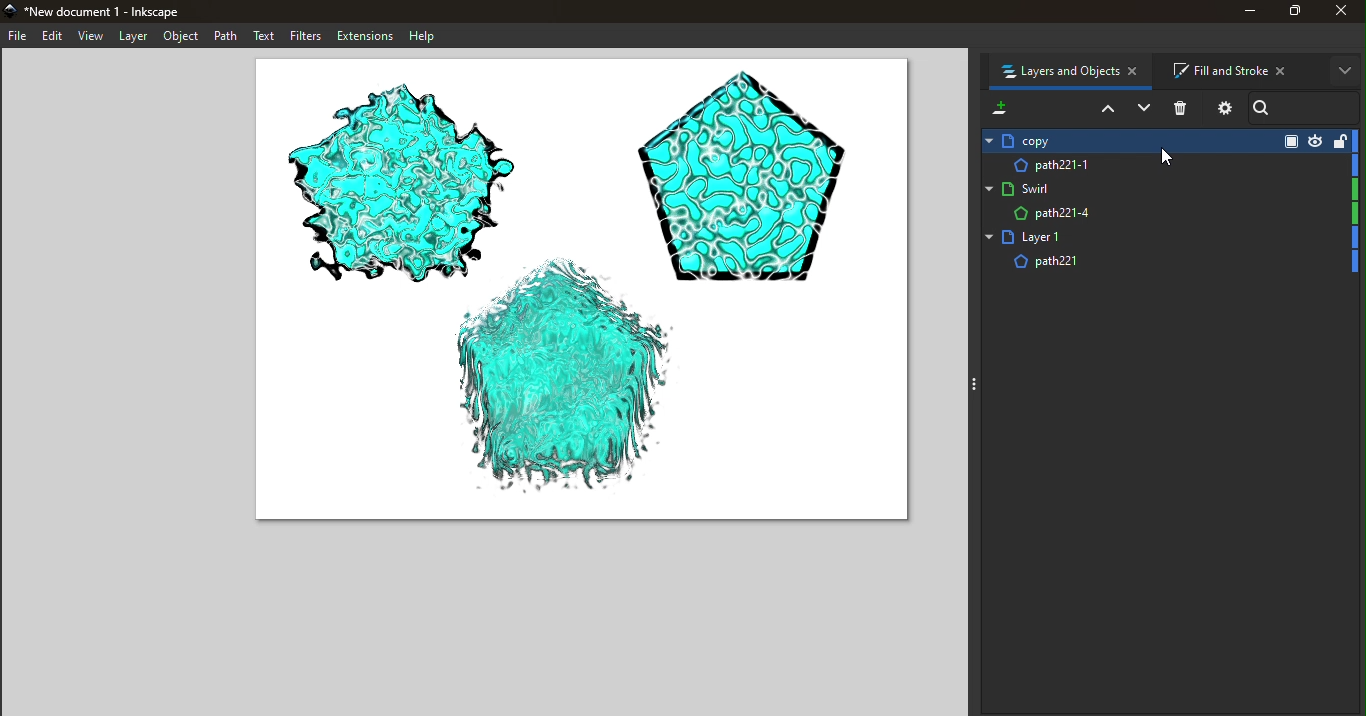 Image resolution: width=1366 pixels, height=716 pixels. I want to click on Maximize, so click(1292, 14).